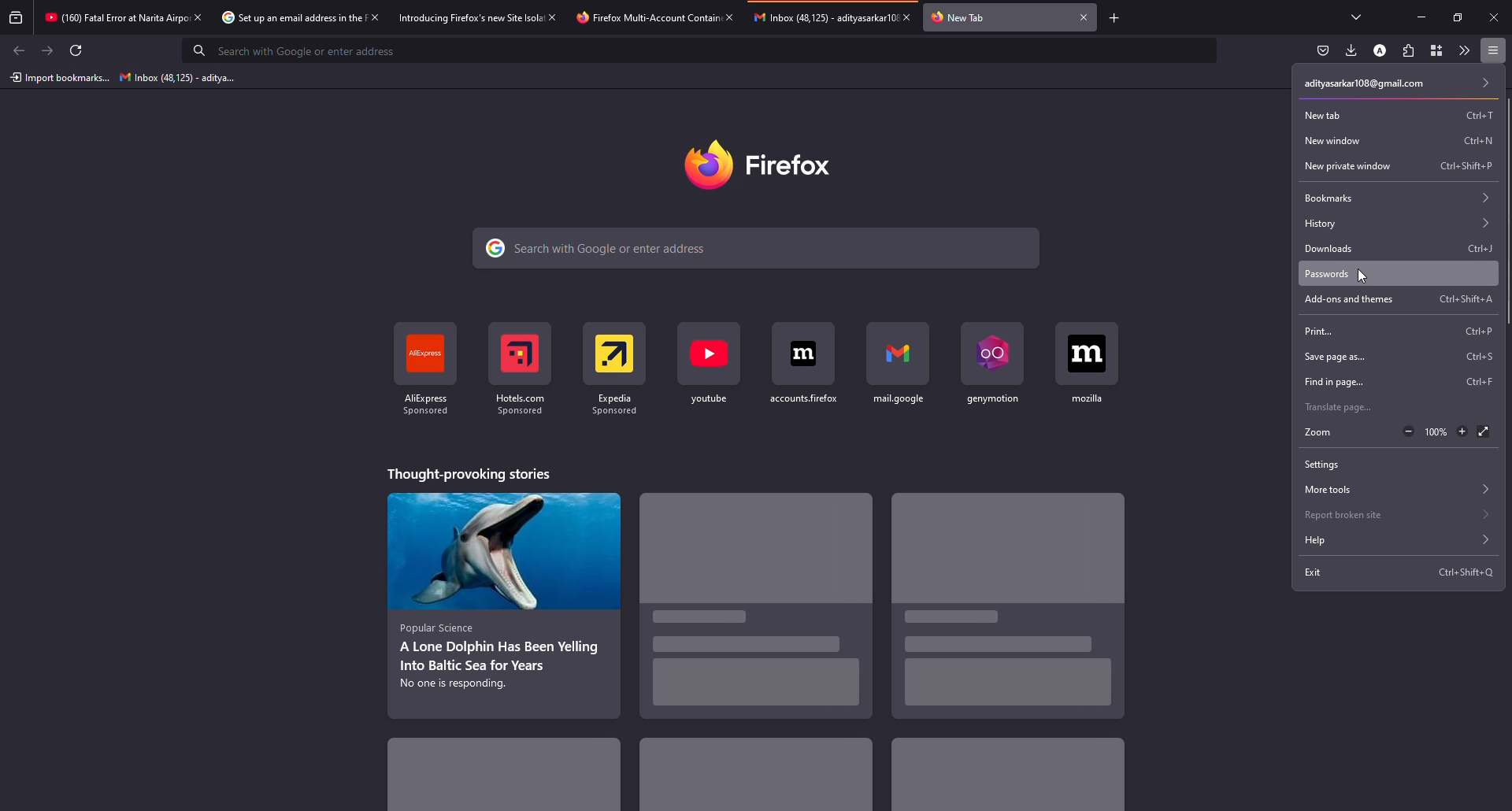 Image resolution: width=1512 pixels, height=811 pixels. What do you see at coordinates (1090, 363) in the screenshot?
I see `shortcut` at bounding box center [1090, 363].